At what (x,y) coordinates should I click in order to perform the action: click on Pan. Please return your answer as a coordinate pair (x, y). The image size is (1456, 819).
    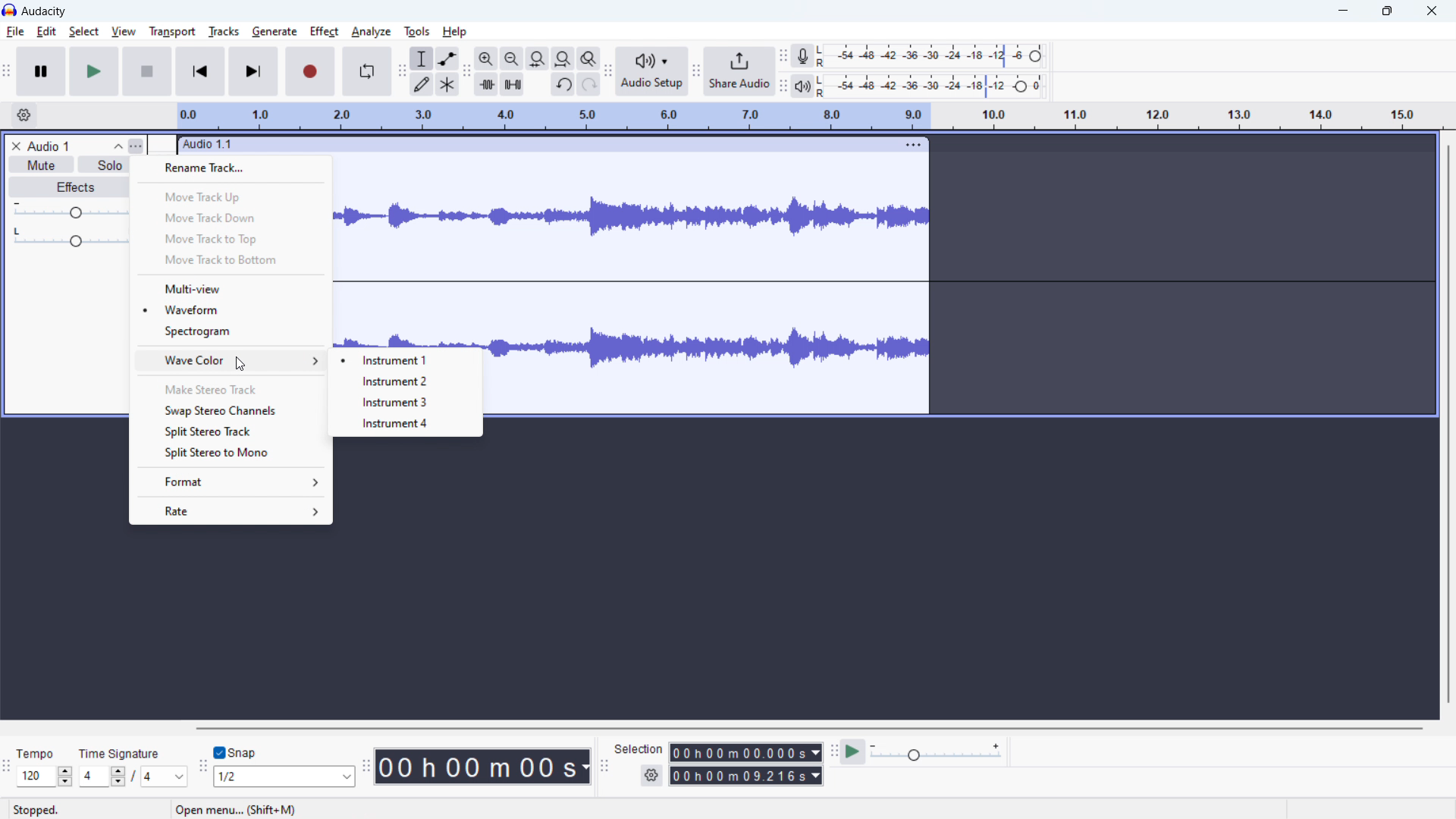
    Looking at the image, I should click on (72, 240).